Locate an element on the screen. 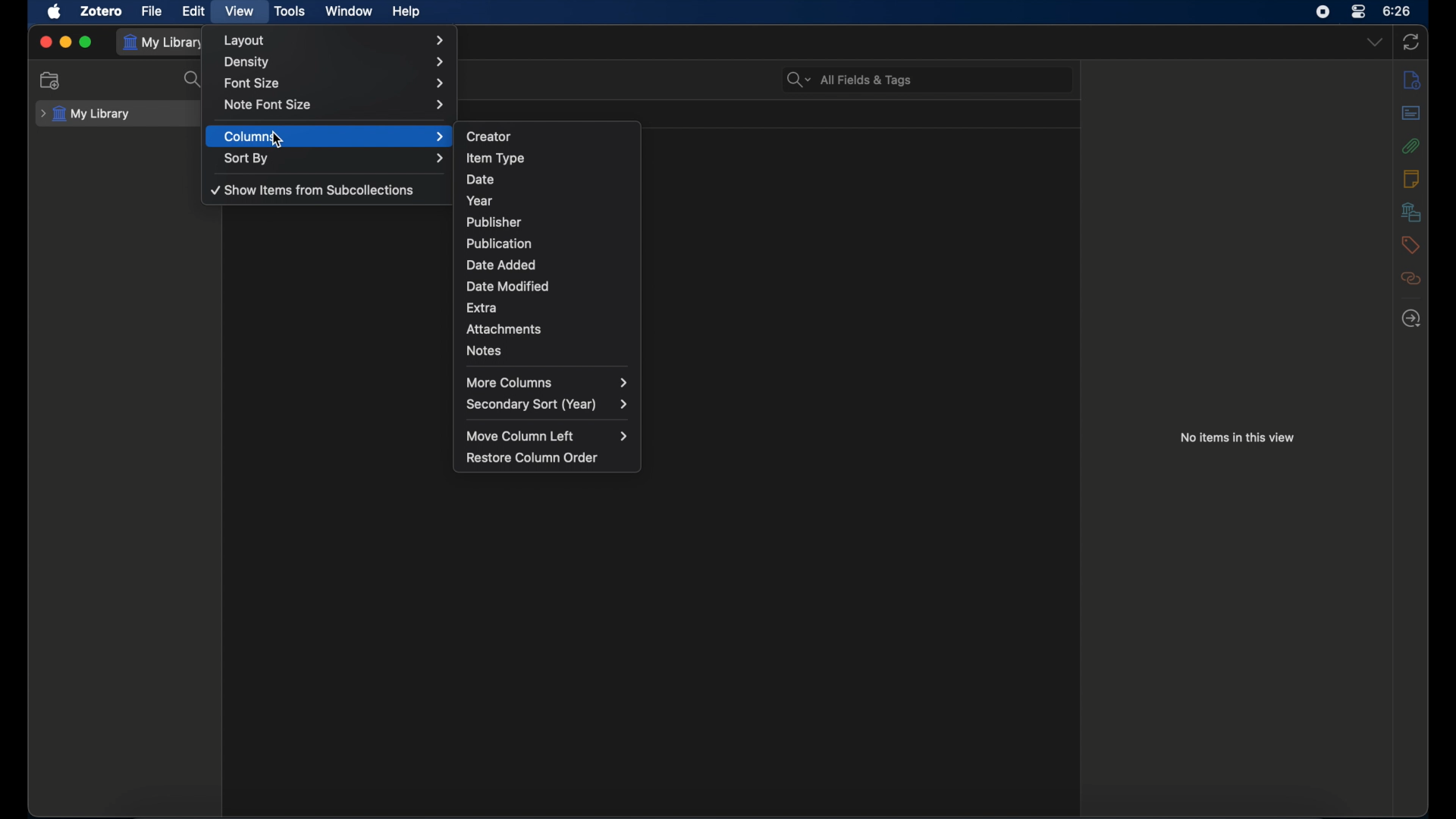  move column left is located at coordinates (548, 436).